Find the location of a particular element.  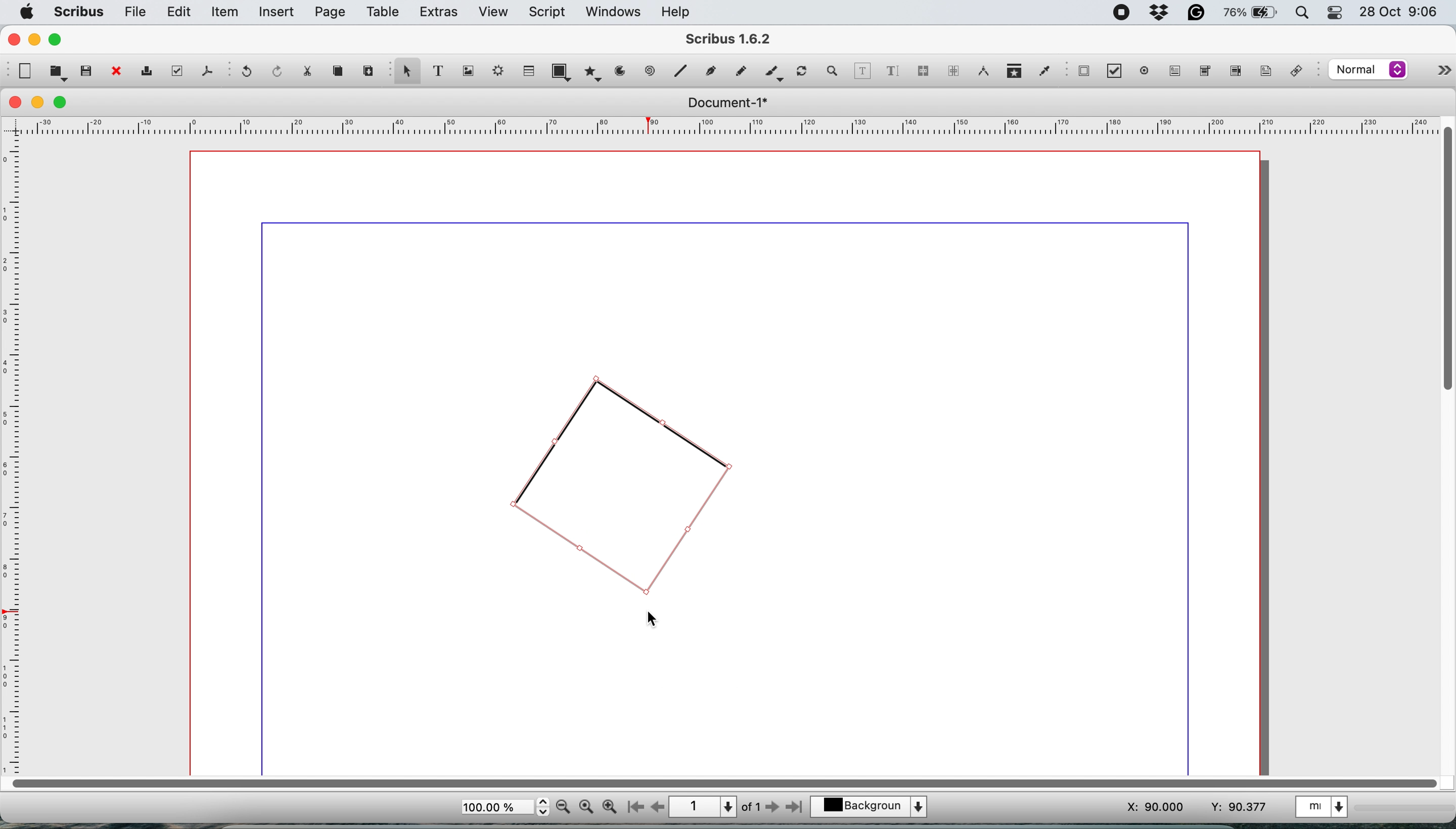

edit is located at coordinates (181, 13).